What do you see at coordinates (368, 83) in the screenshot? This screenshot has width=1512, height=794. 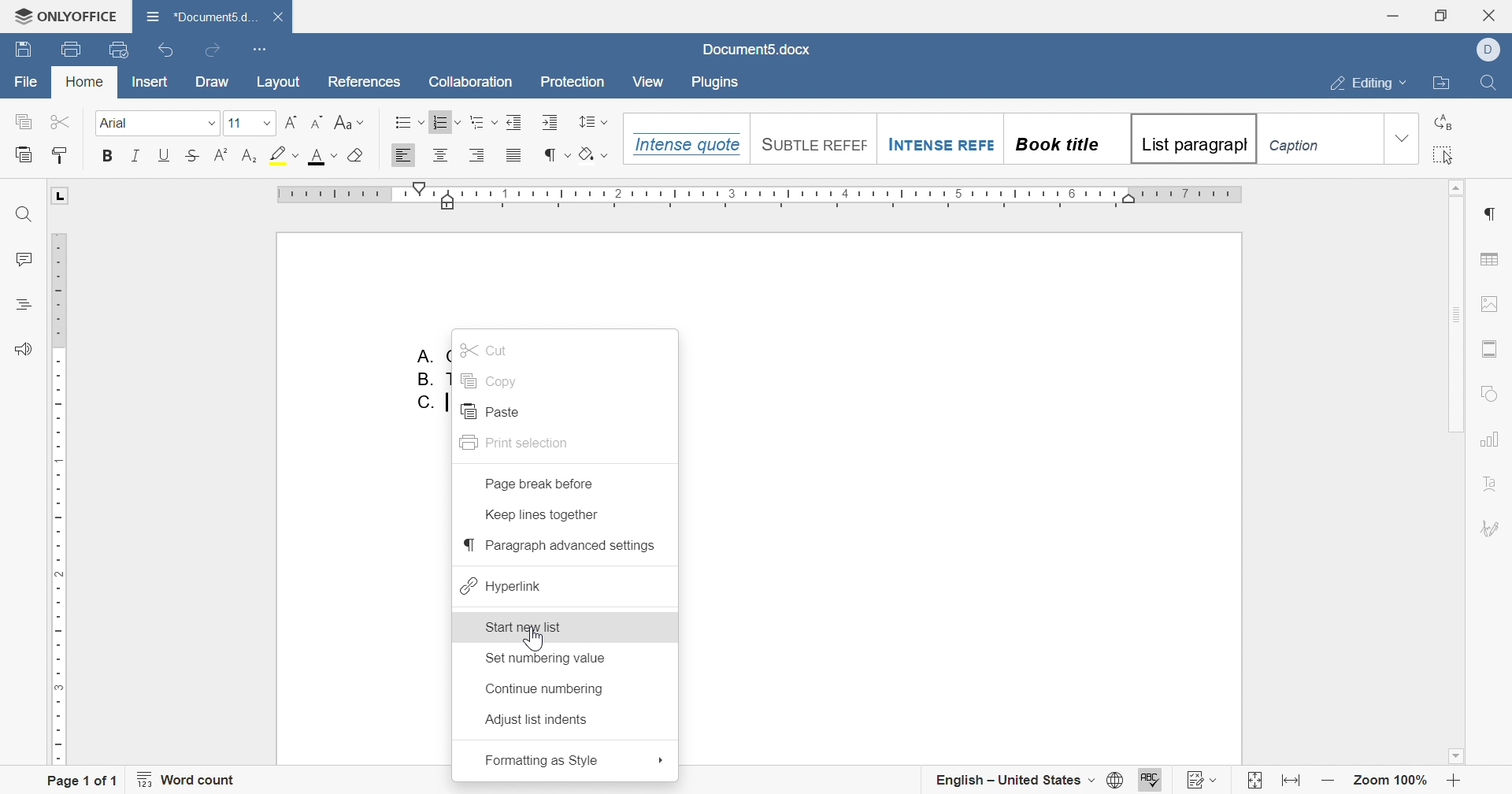 I see `references` at bounding box center [368, 83].